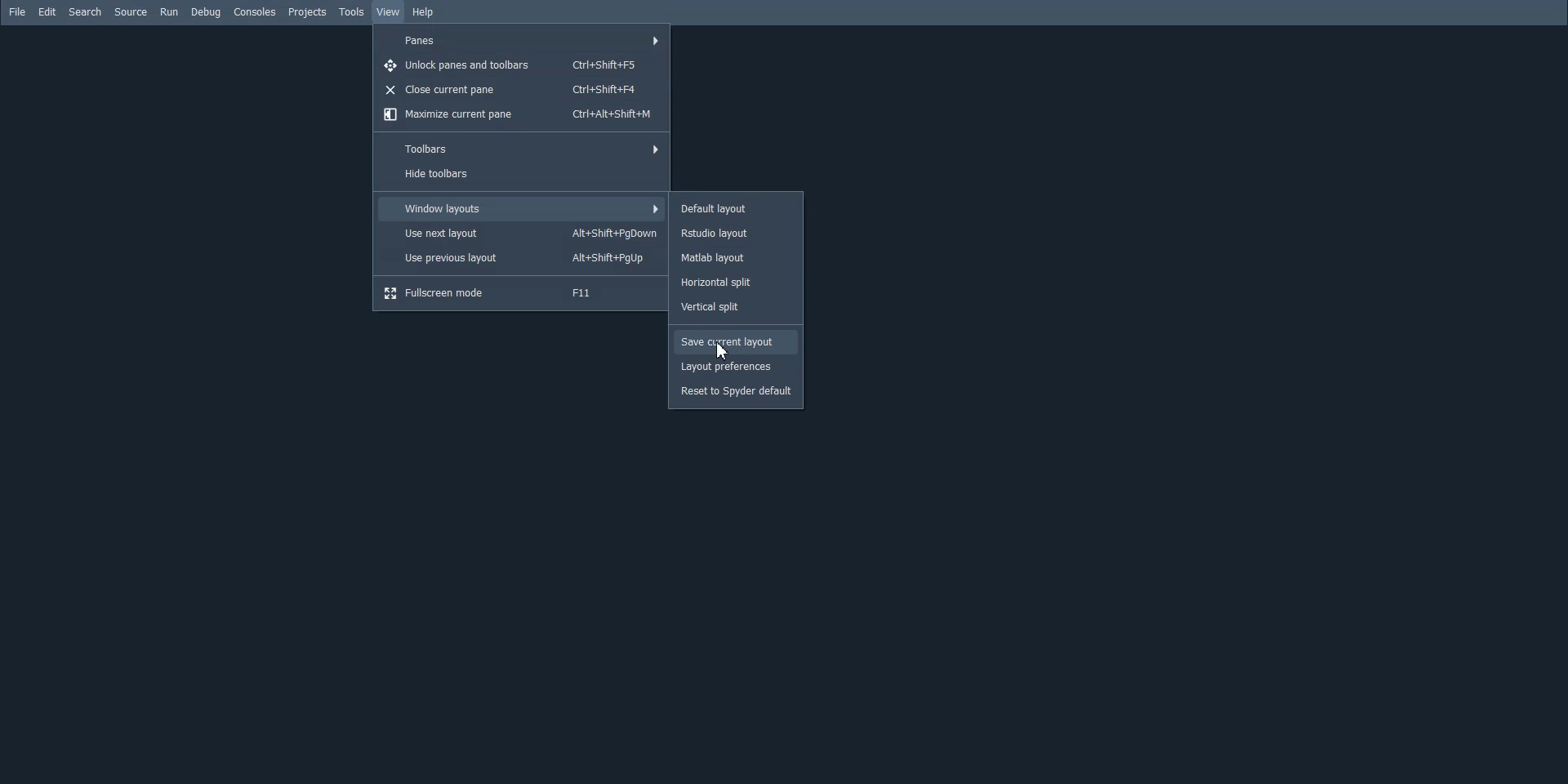 The image size is (1568, 784). I want to click on Horizontal split, so click(735, 283).